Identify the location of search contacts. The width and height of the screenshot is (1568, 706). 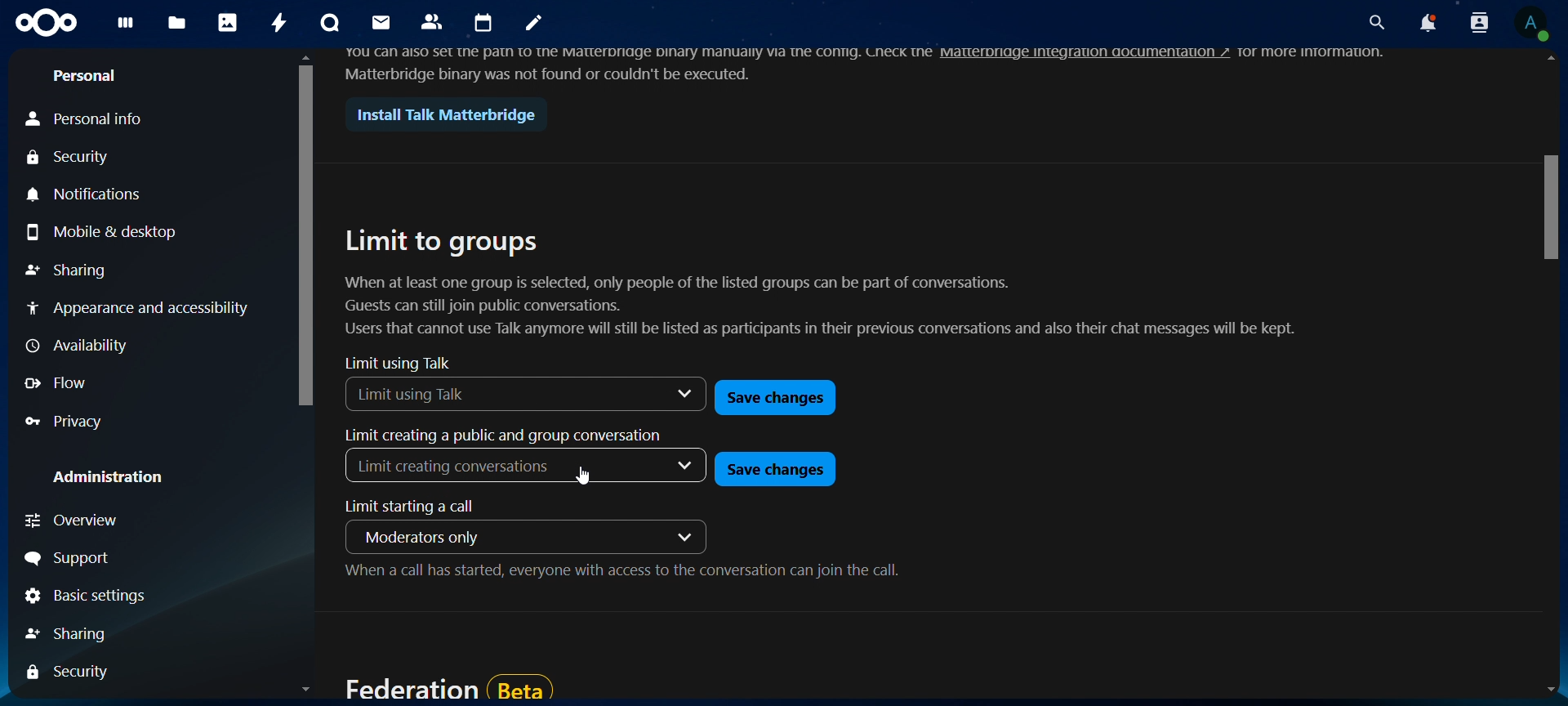
(1479, 25).